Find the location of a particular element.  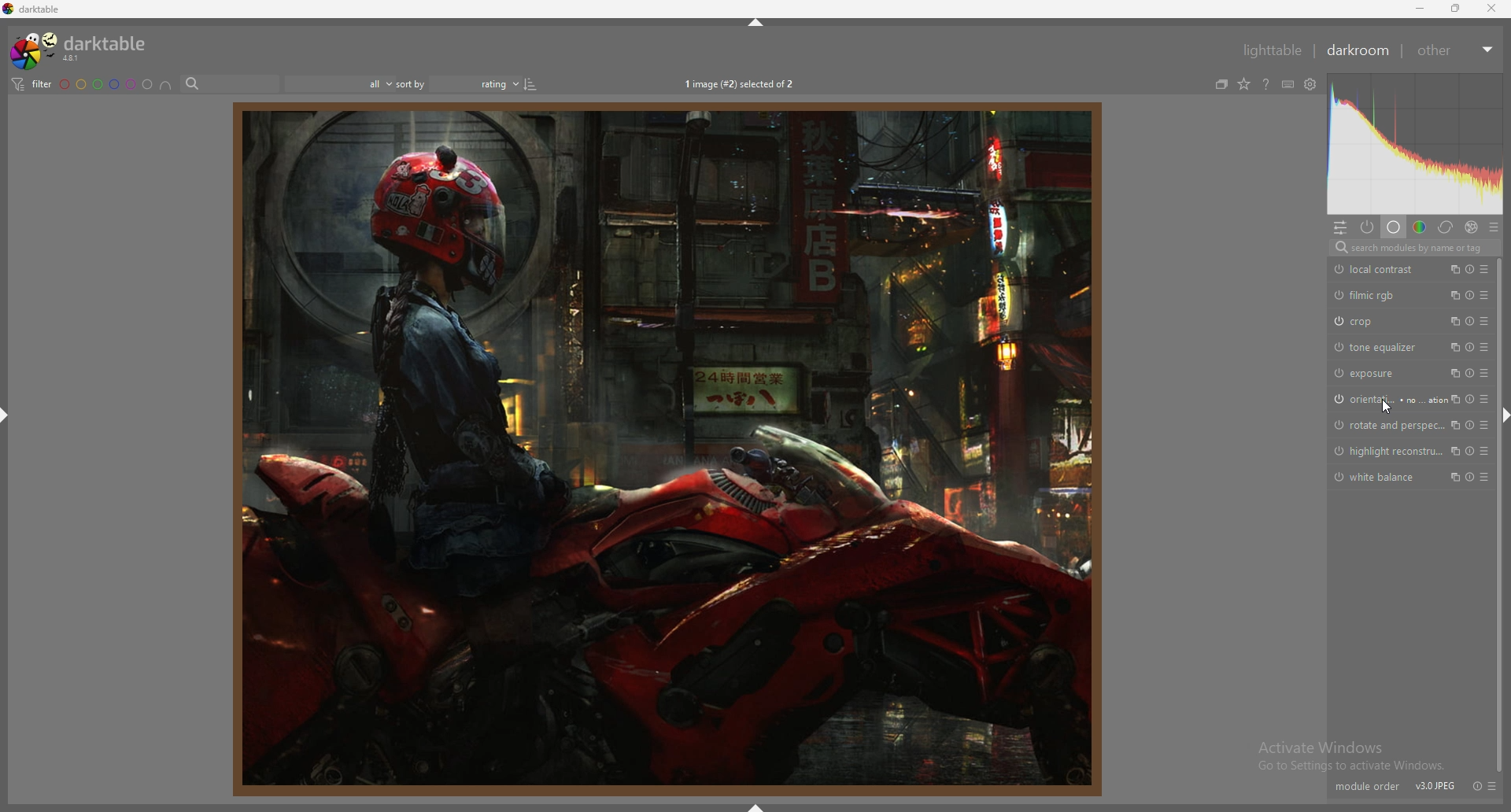

crop is located at coordinates (1368, 321).